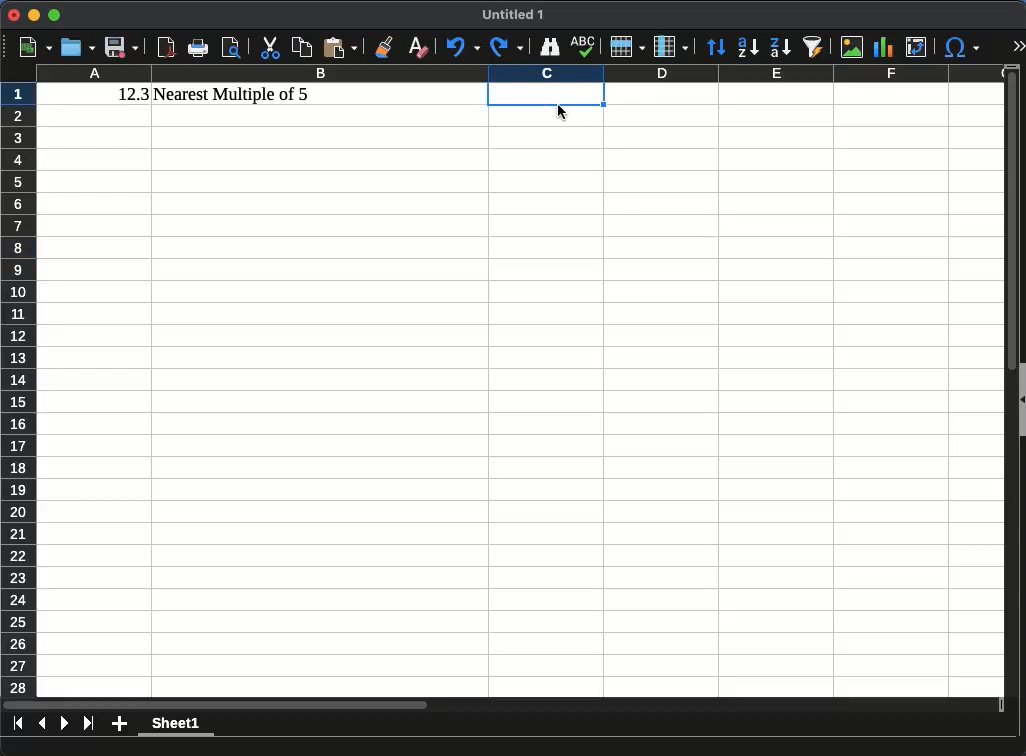 The height and width of the screenshot is (756, 1026). I want to click on new, so click(34, 47).